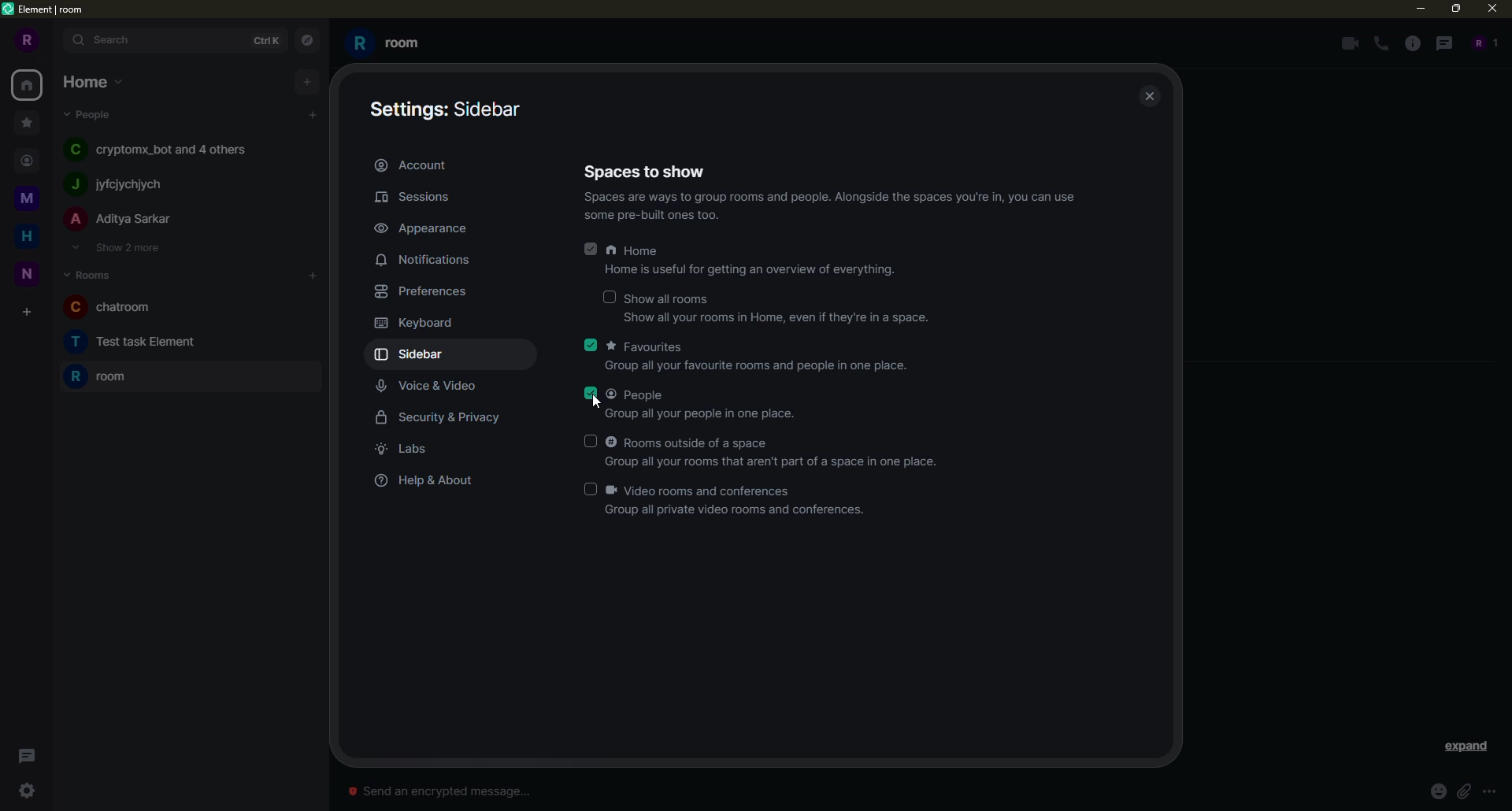 This screenshot has width=1512, height=811. What do you see at coordinates (1463, 791) in the screenshot?
I see `attach` at bounding box center [1463, 791].